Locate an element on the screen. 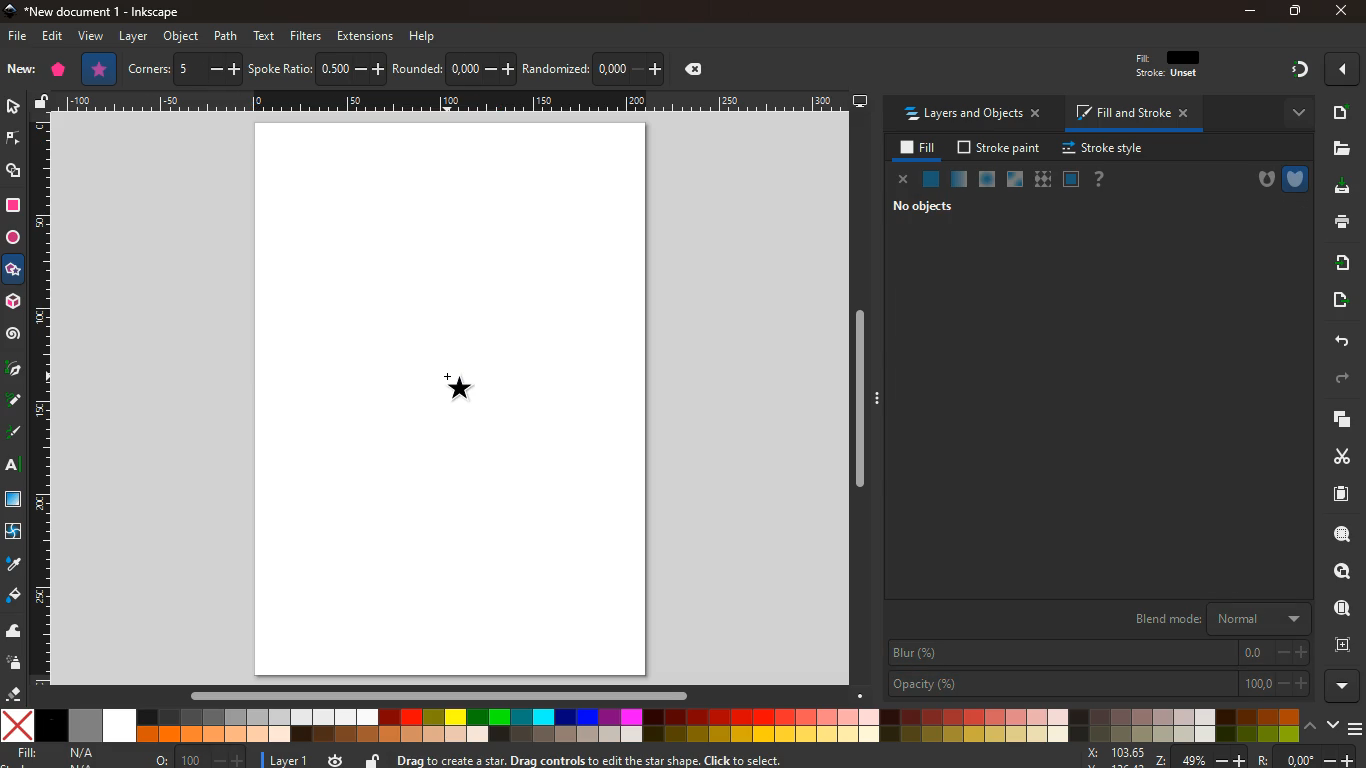  sheet is located at coordinates (1334, 498).